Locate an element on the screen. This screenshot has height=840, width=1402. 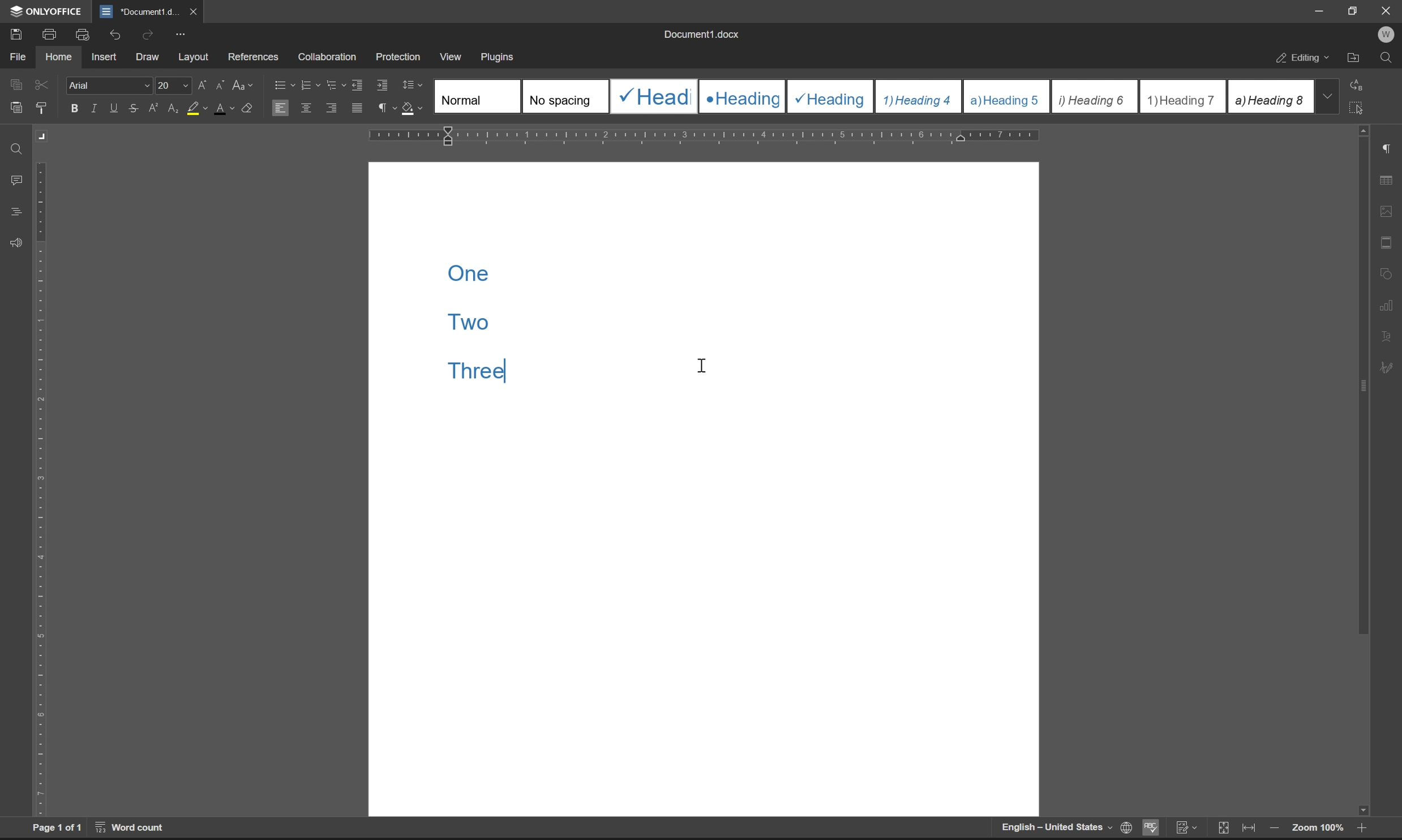
justified is located at coordinates (358, 108).